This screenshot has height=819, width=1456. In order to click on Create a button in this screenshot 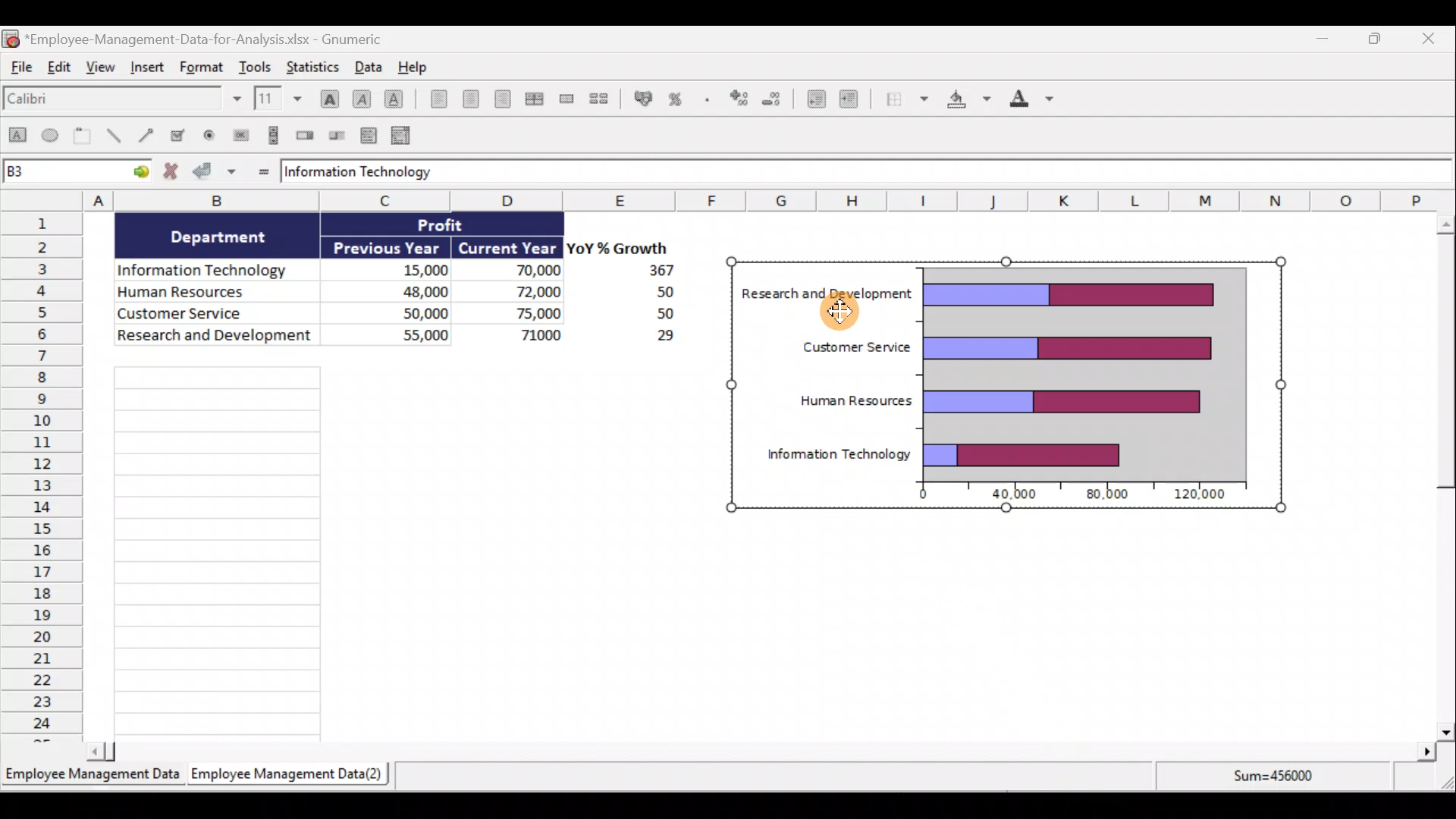, I will do `click(240, 133)`.